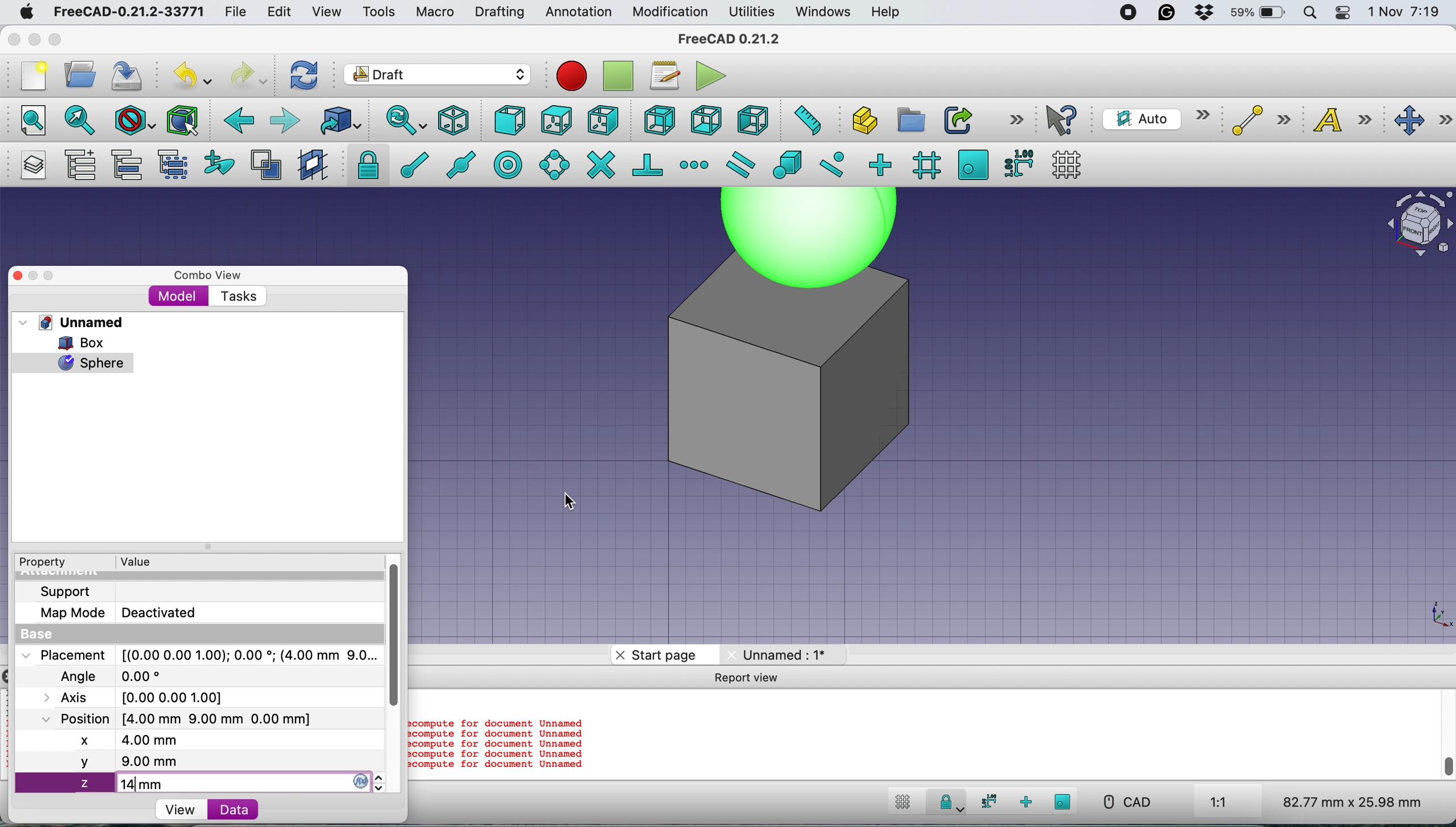 This screenshot has width=1456, height=827. Describe the element at coordinates (128, 76) in the screenshot. I see `save` at that location.